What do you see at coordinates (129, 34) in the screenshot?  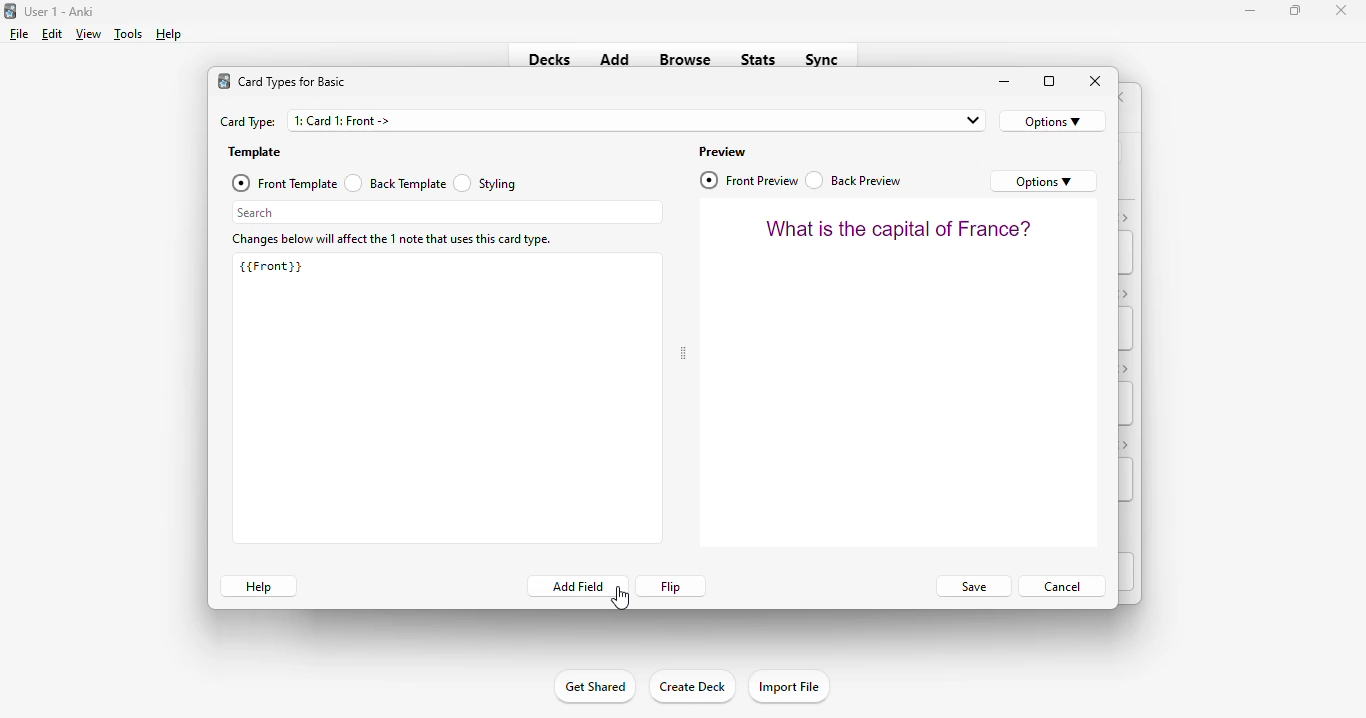 I see `tools` at bounding box center [129, 34].